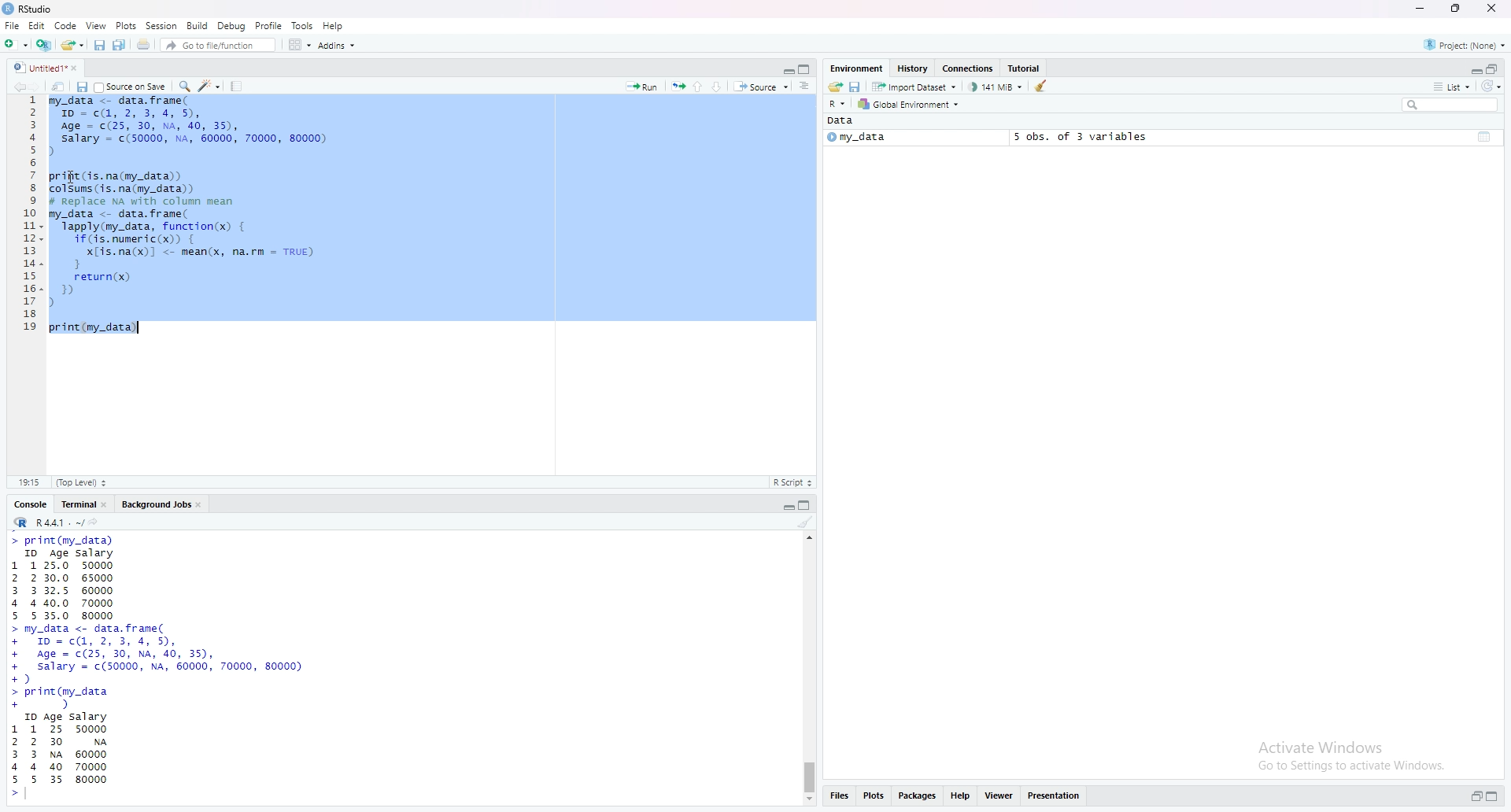  Describe the element at coordinates (786, 70) in the screenshot. I see `expand` at that location.